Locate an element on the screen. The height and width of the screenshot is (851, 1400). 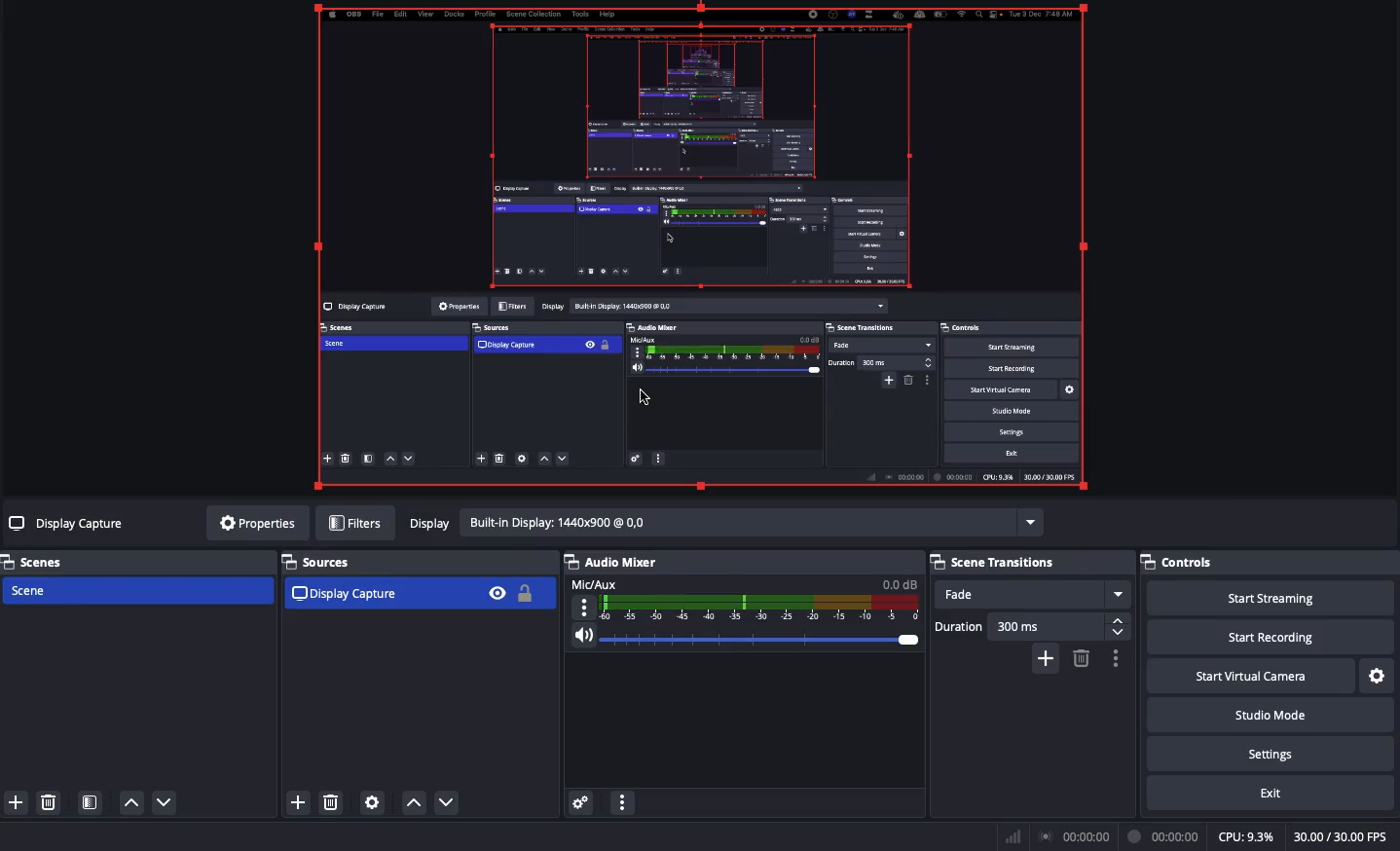
Properties is located at coordinates (259, 525).